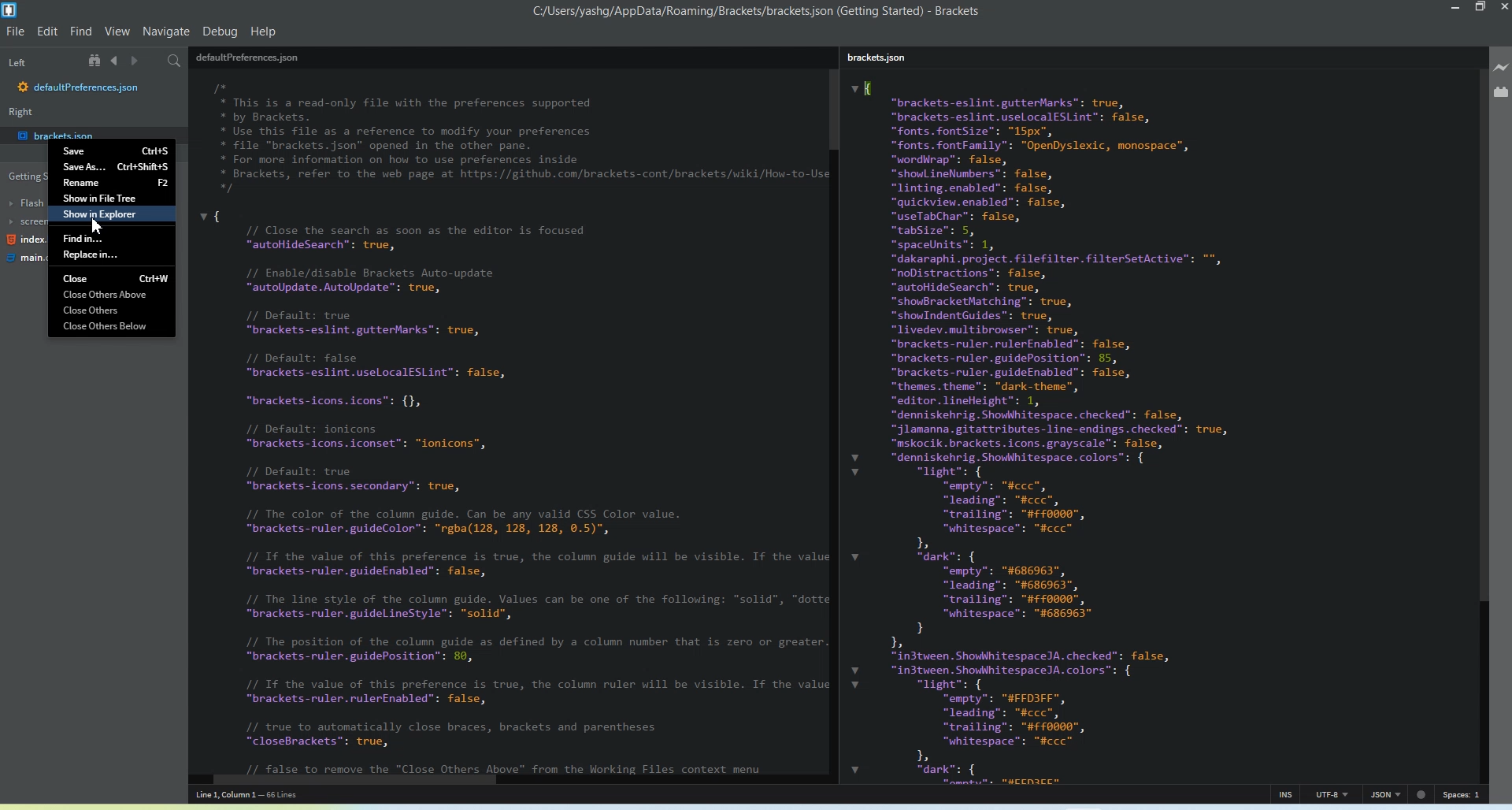 The image size is (1512, 810). What do you see at coordinates (757, 12) in the screenshot?
I see `c:/users/yashg/appdata/roaming/brackets/brackets.json (getting started)-brackets` at bounding box center [757, 12].